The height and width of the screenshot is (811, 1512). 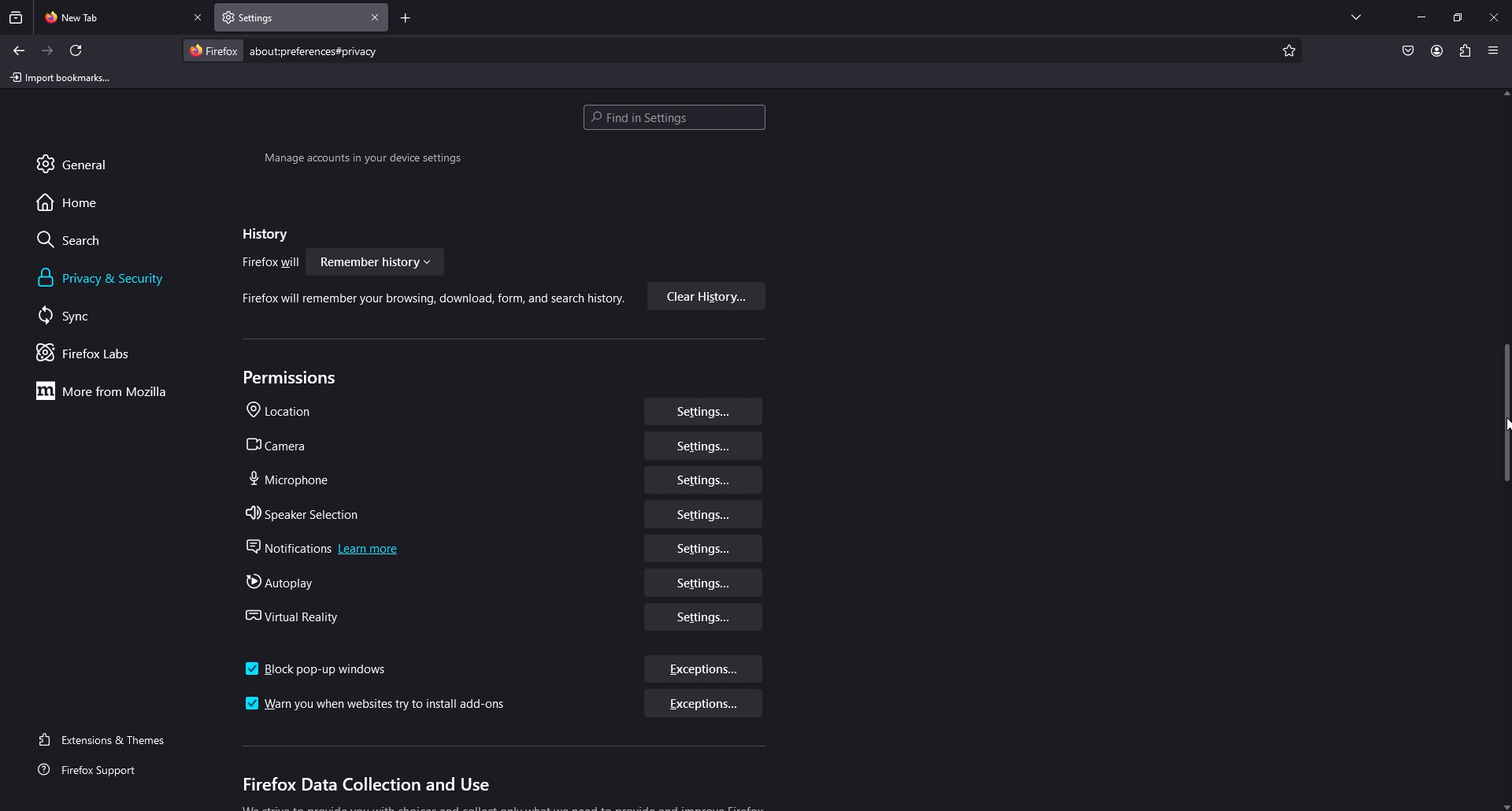 What do you see at coordinates (365, 786) in the screenshot?
I see `Firefox Data Collection and Use` at bounding box center [365, 786].